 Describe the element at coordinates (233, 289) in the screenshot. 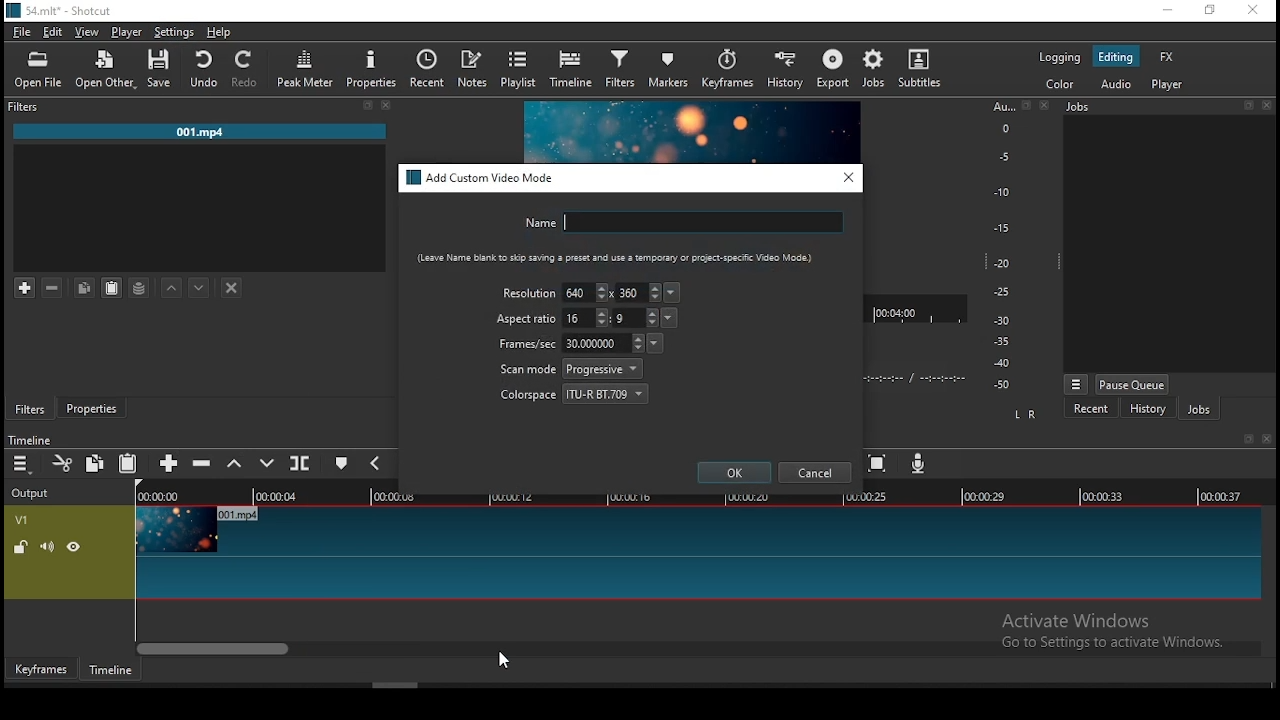

I see `deselect filter` at that location.